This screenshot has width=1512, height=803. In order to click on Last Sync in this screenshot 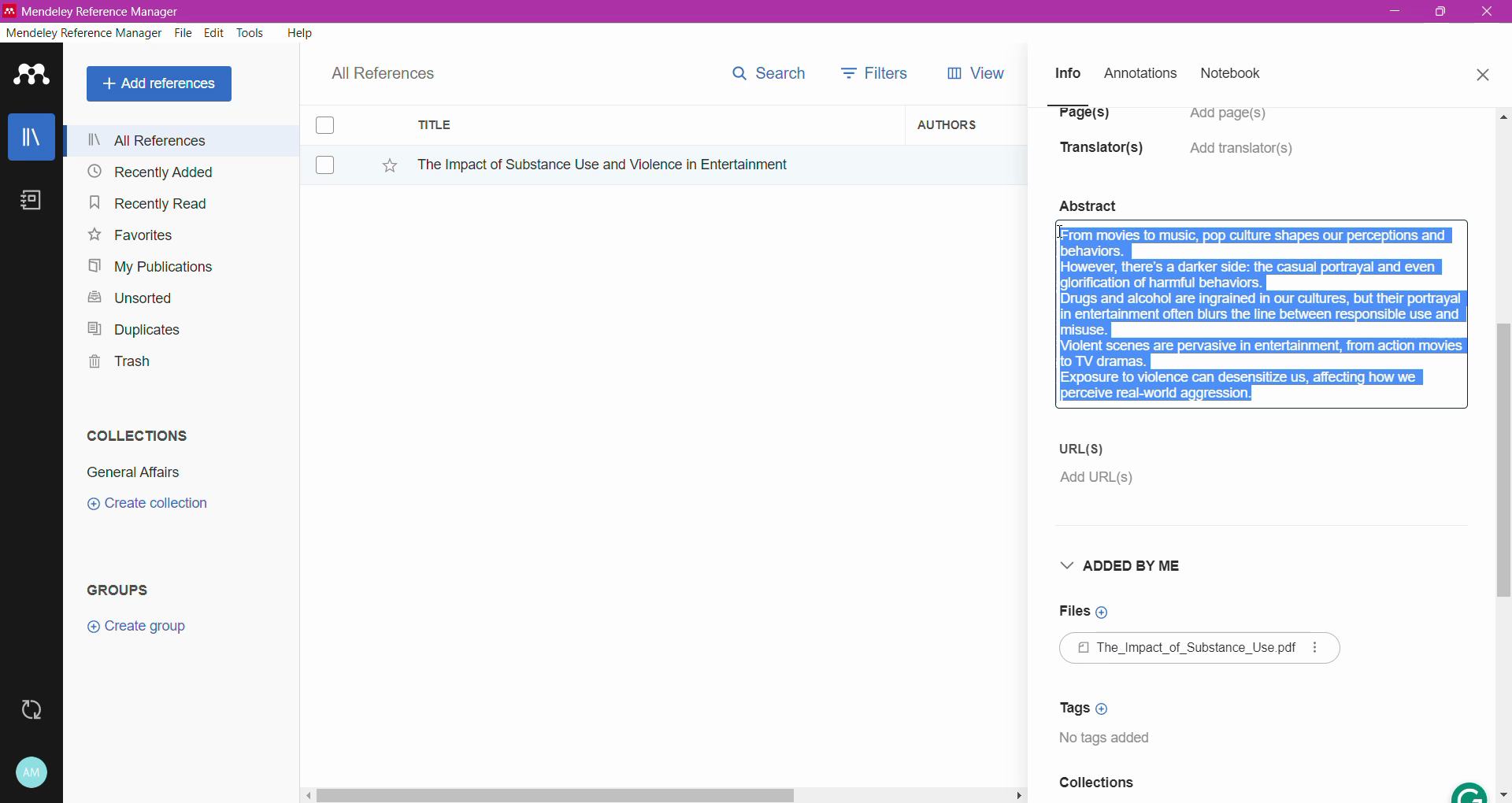, I will do `click(38, 708)`.